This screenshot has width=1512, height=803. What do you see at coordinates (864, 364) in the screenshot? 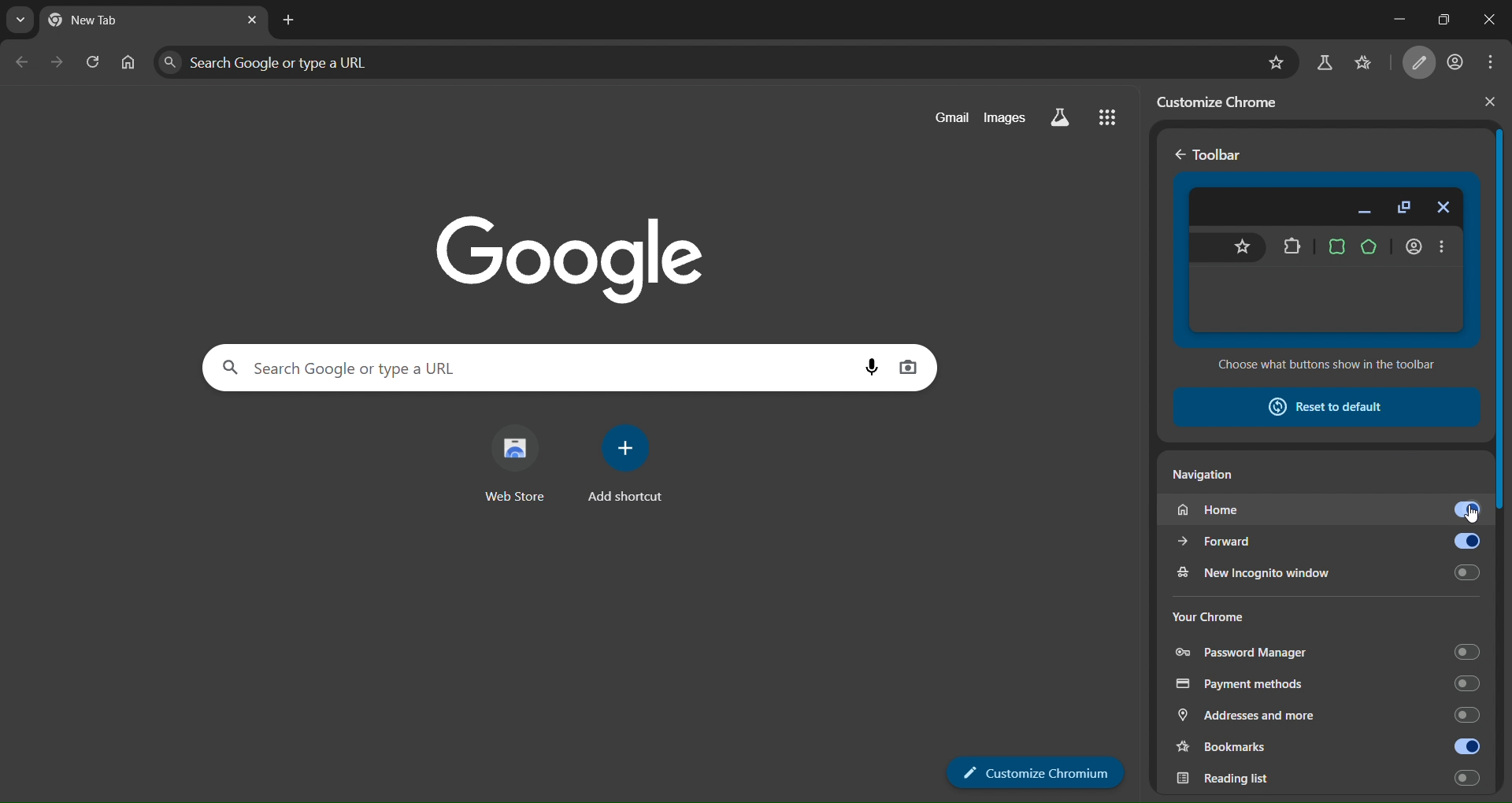
I see `voice search` at bounding box center [864, 364].